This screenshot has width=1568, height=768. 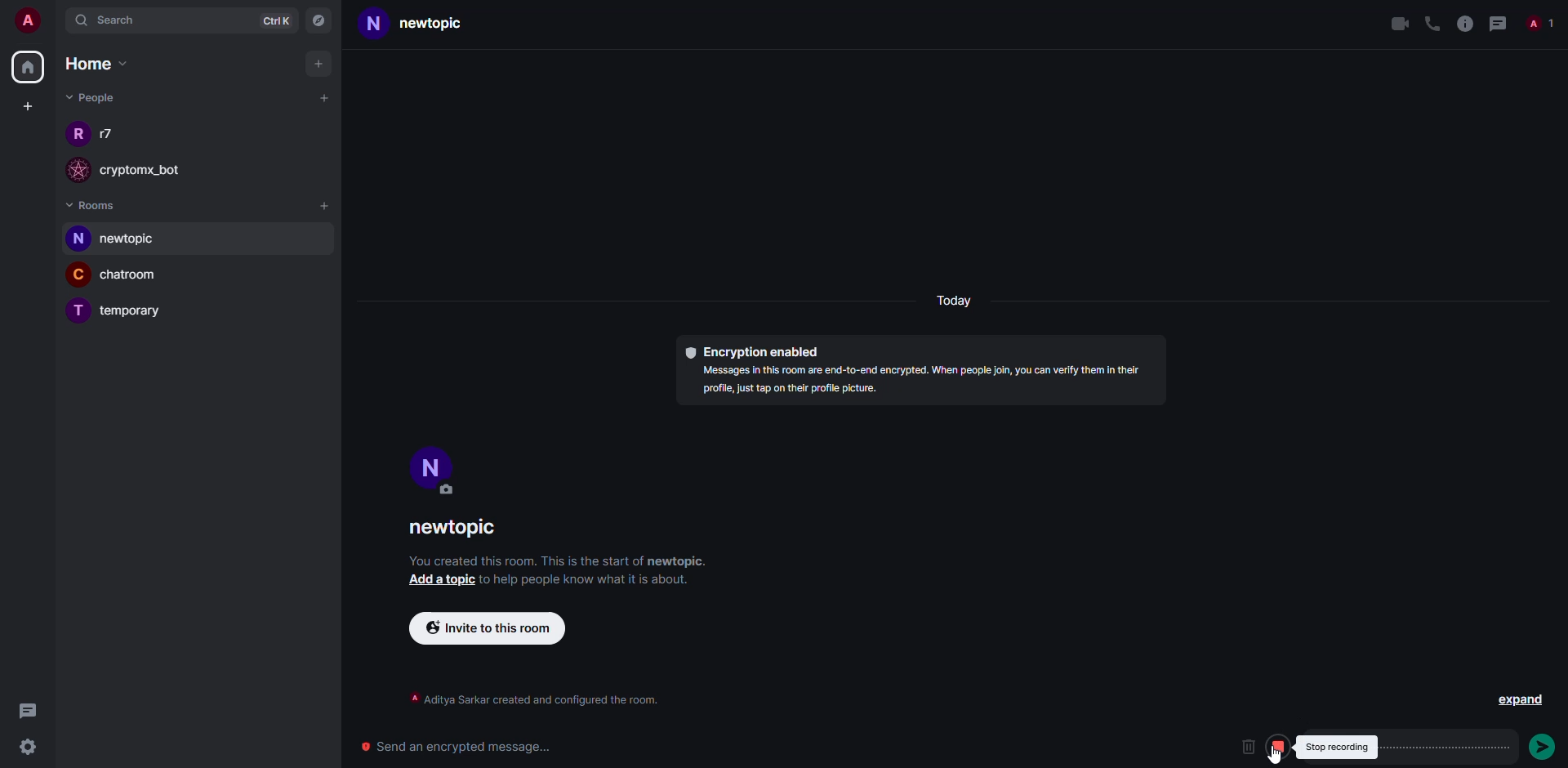 What do you see at coordinates (452, 493) in the screenshot?
I see `edit profile image` at bounding box center [452, 493].